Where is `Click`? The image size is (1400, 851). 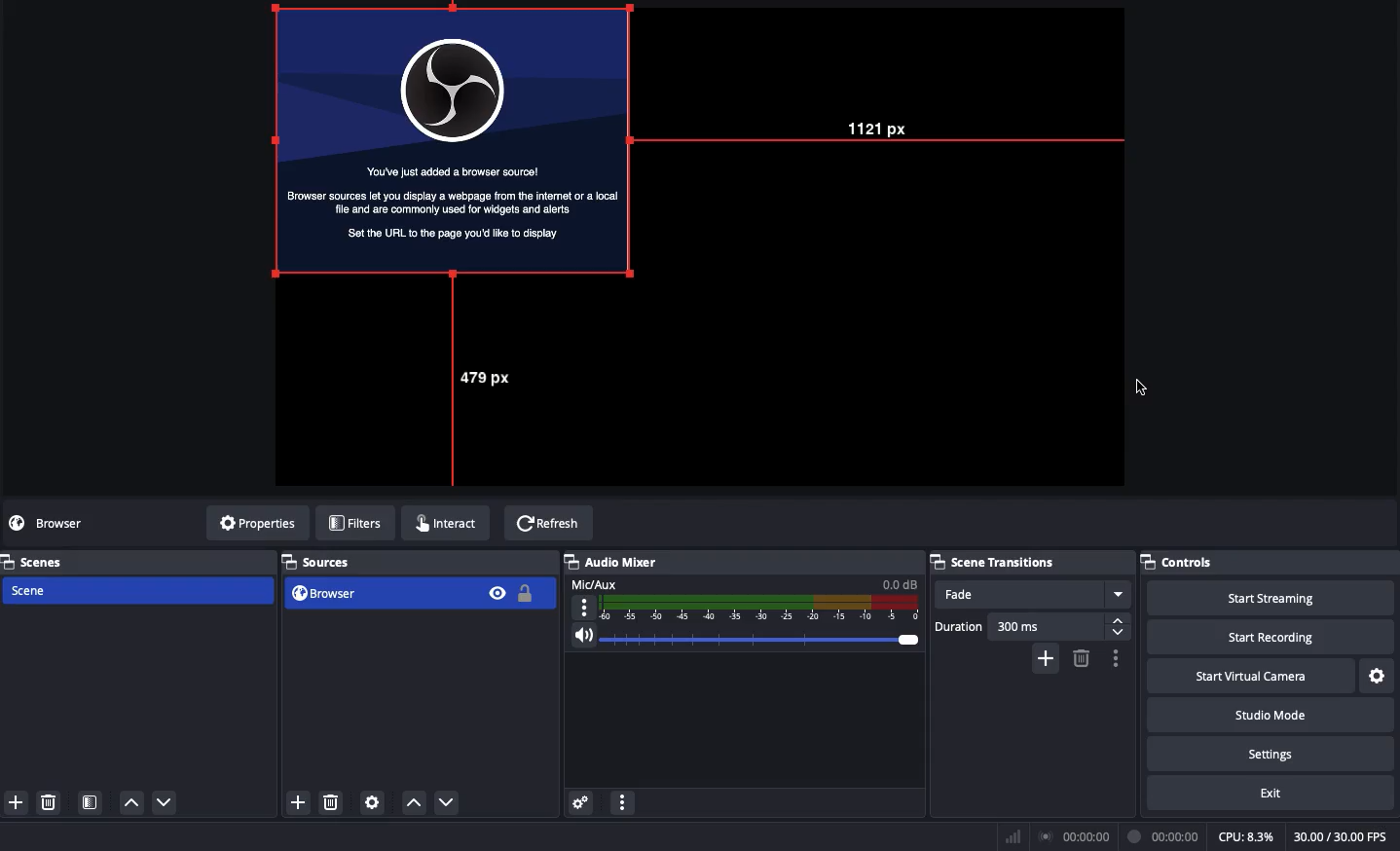 Click is located at coordinates (1142, 388).